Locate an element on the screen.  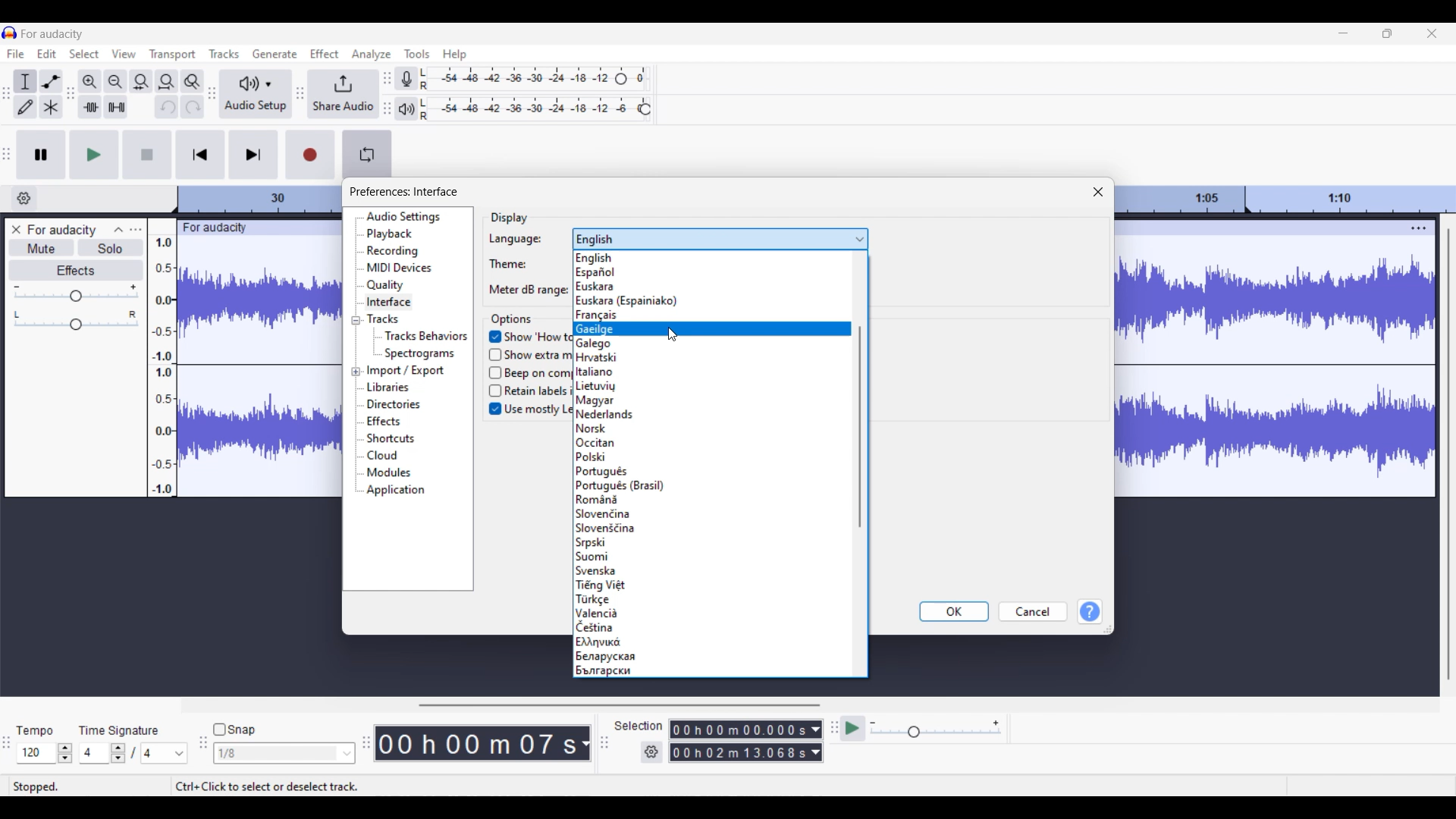
options is located at coordinates (510, 319).